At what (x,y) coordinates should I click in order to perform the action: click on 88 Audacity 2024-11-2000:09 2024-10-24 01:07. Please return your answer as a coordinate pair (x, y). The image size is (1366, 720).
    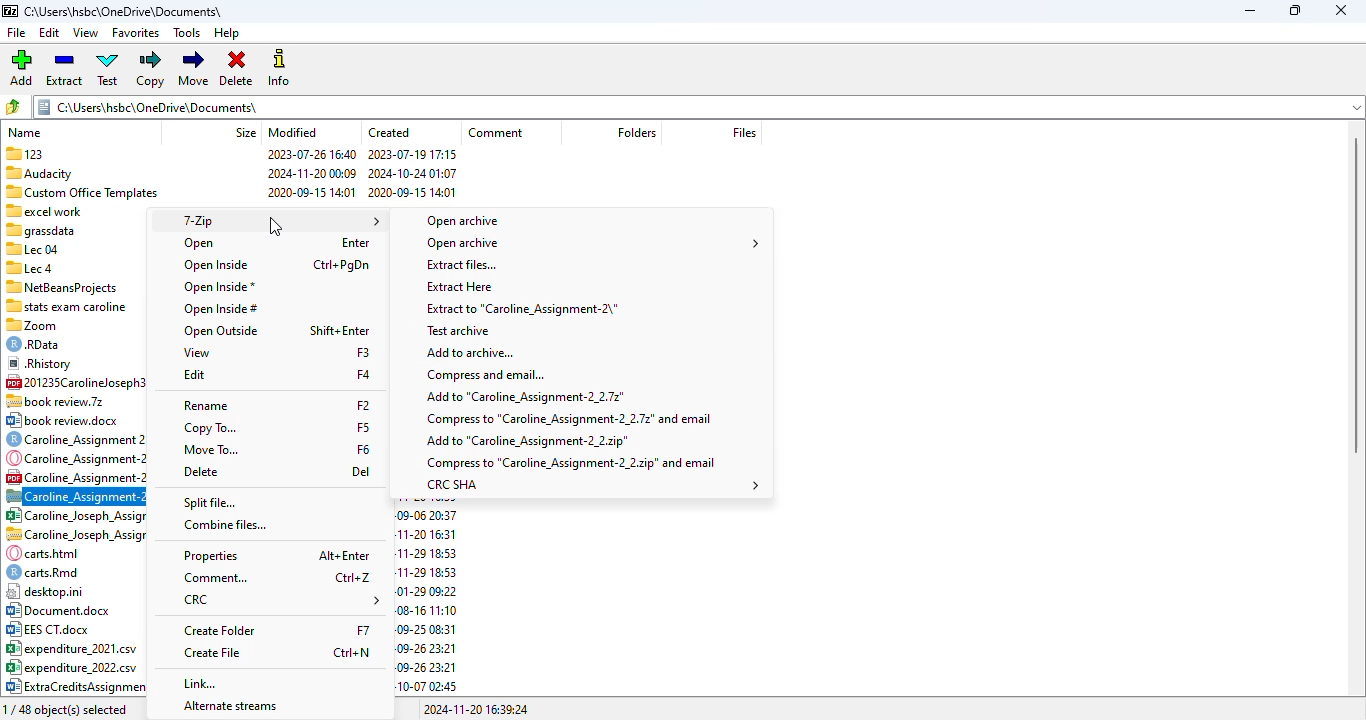
    Looking at the image, I should click on (234, 171).